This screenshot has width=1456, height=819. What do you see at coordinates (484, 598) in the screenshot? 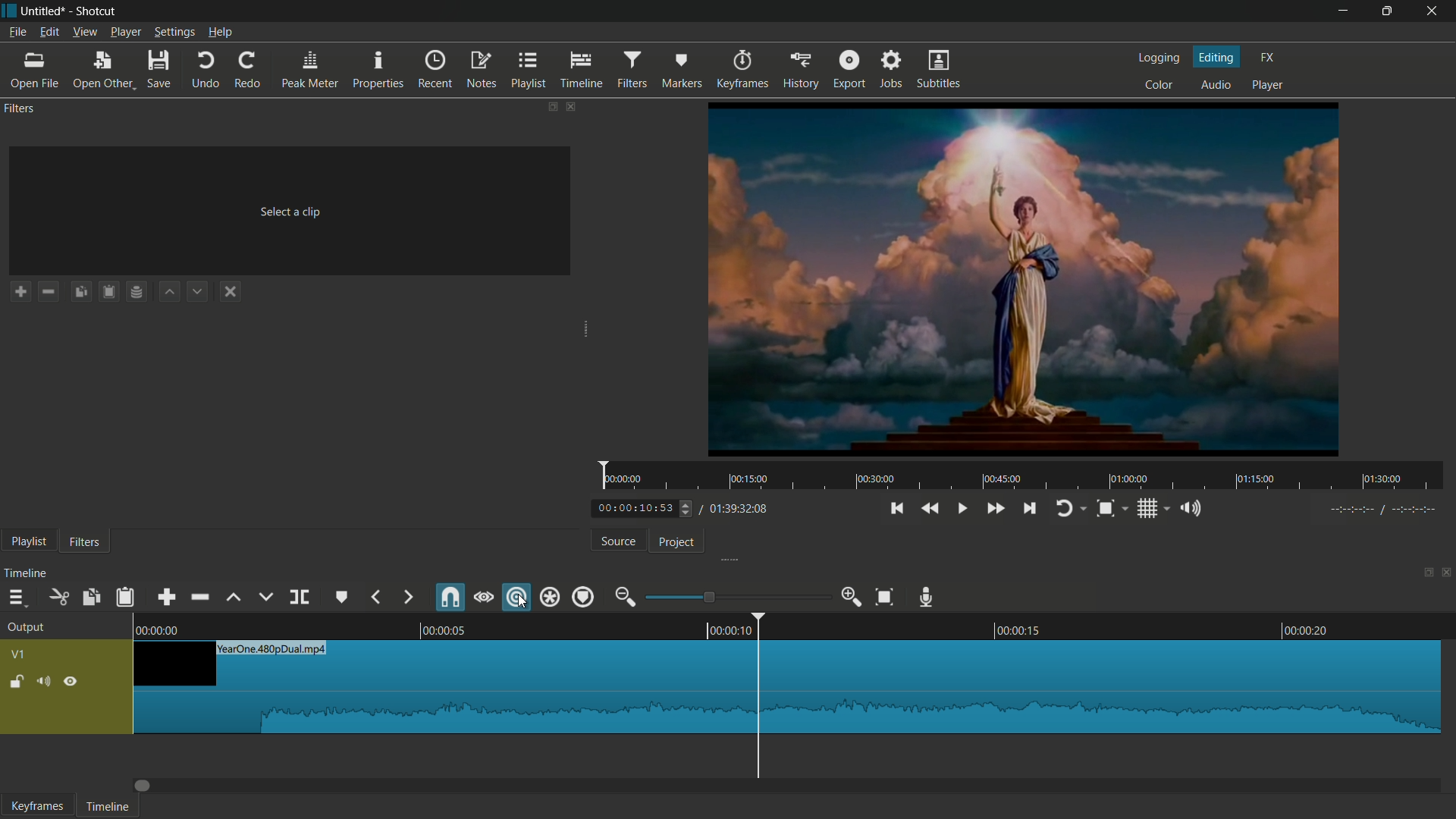
I see `scrub while dragging` at bounding box center [484, 598].